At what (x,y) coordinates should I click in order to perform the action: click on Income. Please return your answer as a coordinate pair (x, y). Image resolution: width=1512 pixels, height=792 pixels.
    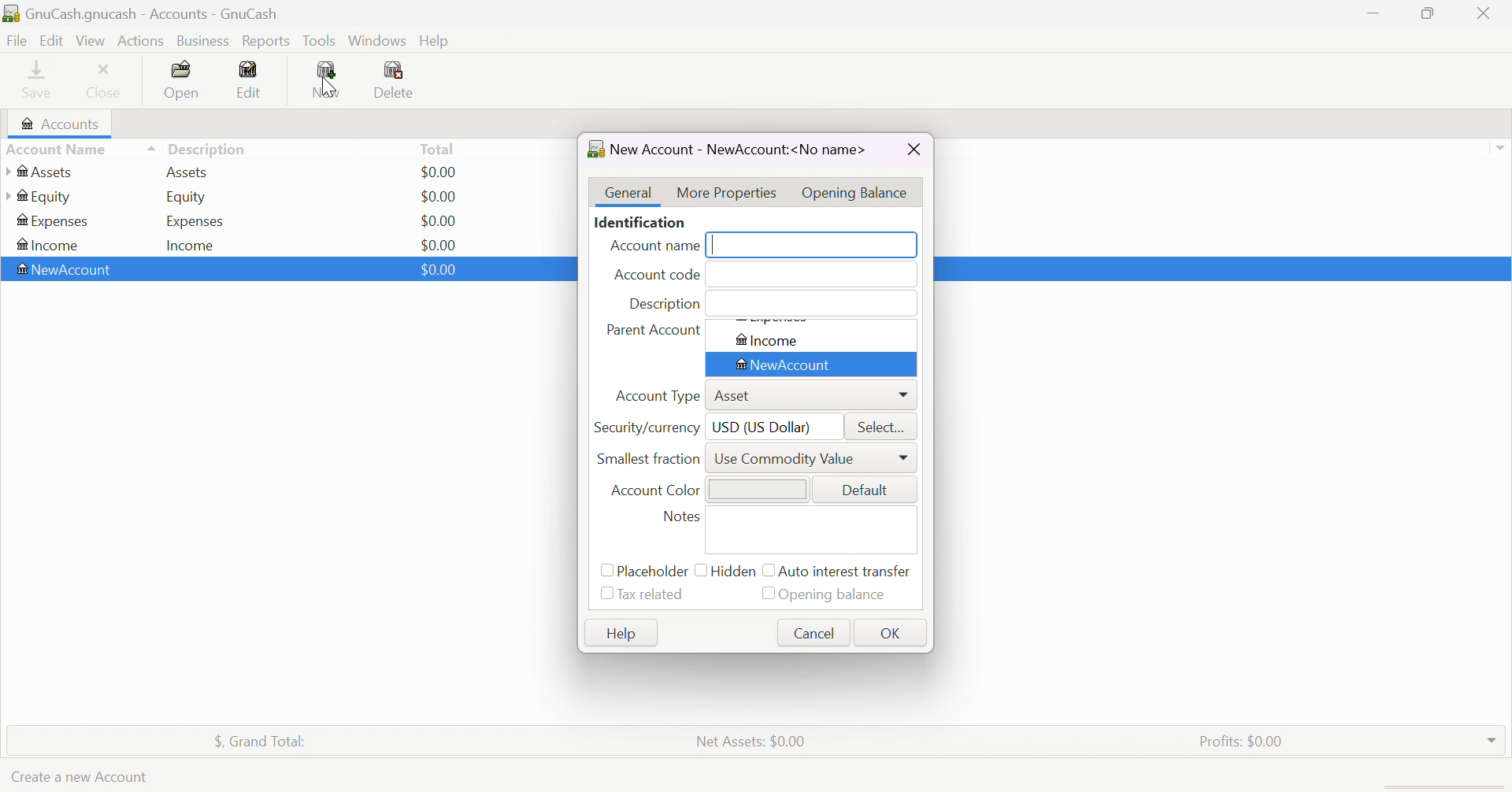
    Looking at the image, I should click on (53, 244).